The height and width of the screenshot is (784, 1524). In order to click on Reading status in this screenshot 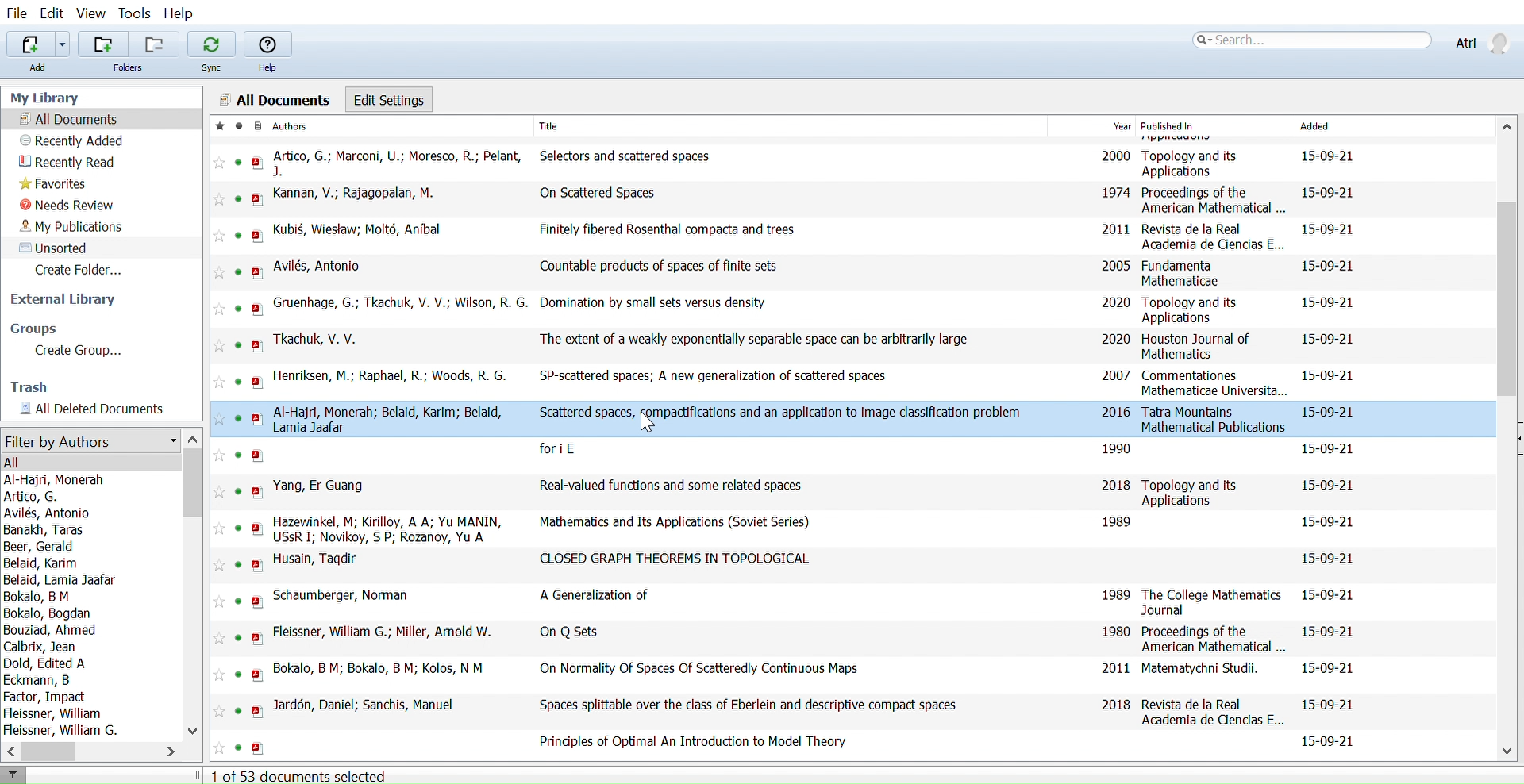, I will do `click(237, 419)`.